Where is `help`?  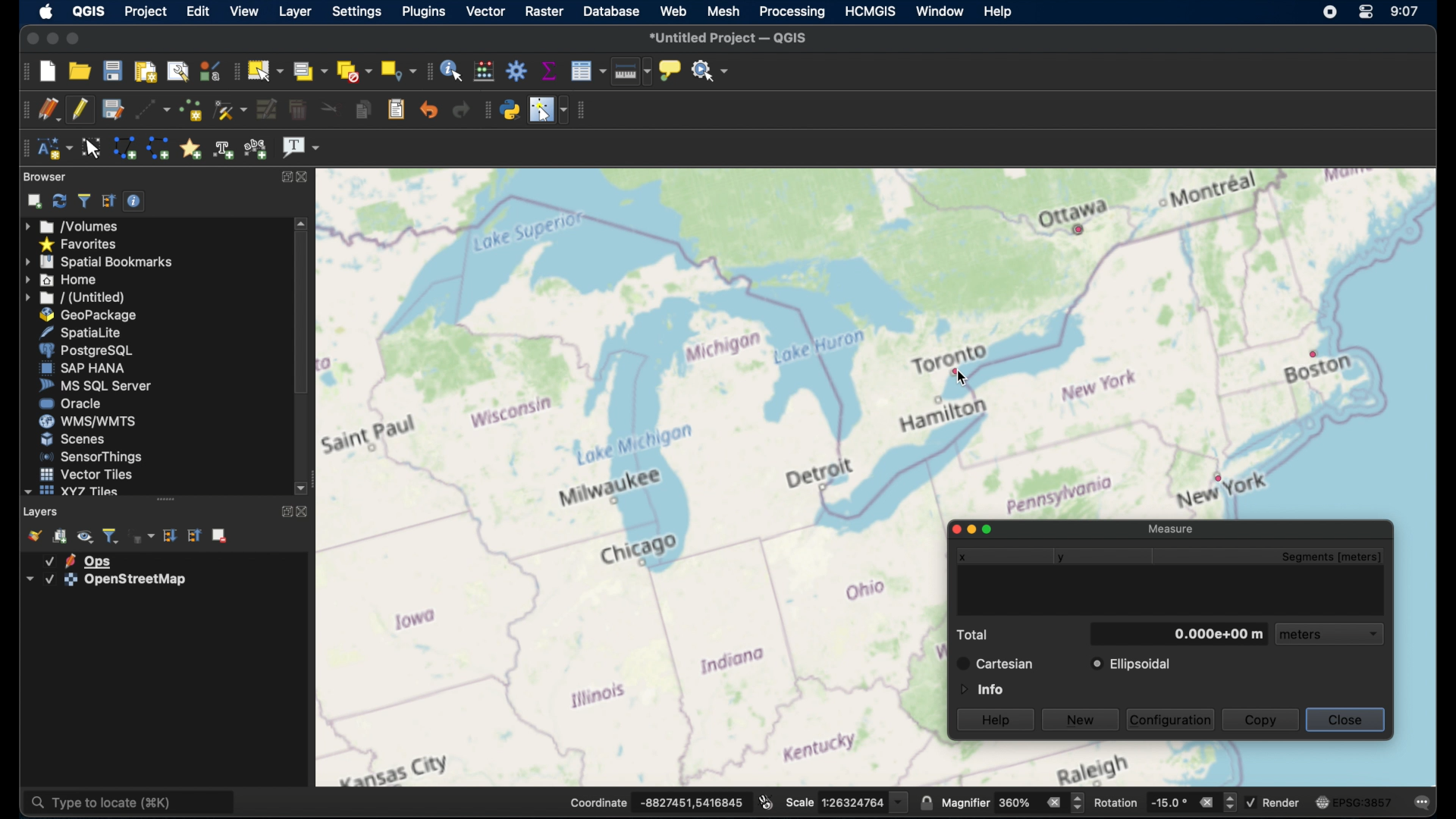
help is located at coordinates (995, 720).